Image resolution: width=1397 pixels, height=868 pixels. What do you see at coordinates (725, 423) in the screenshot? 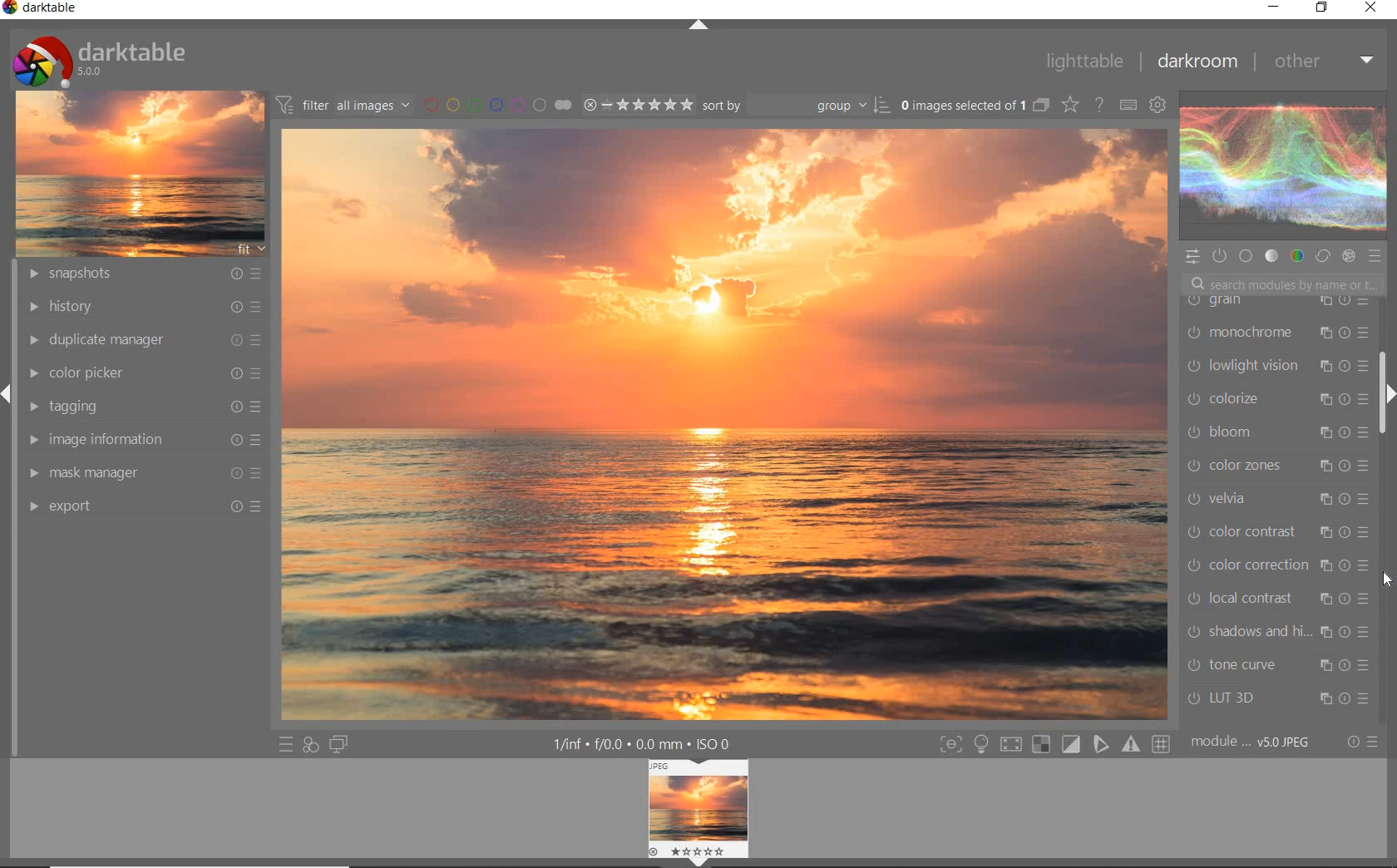
I see `SELECTED IMAGE` at bounding box center [725, 423].